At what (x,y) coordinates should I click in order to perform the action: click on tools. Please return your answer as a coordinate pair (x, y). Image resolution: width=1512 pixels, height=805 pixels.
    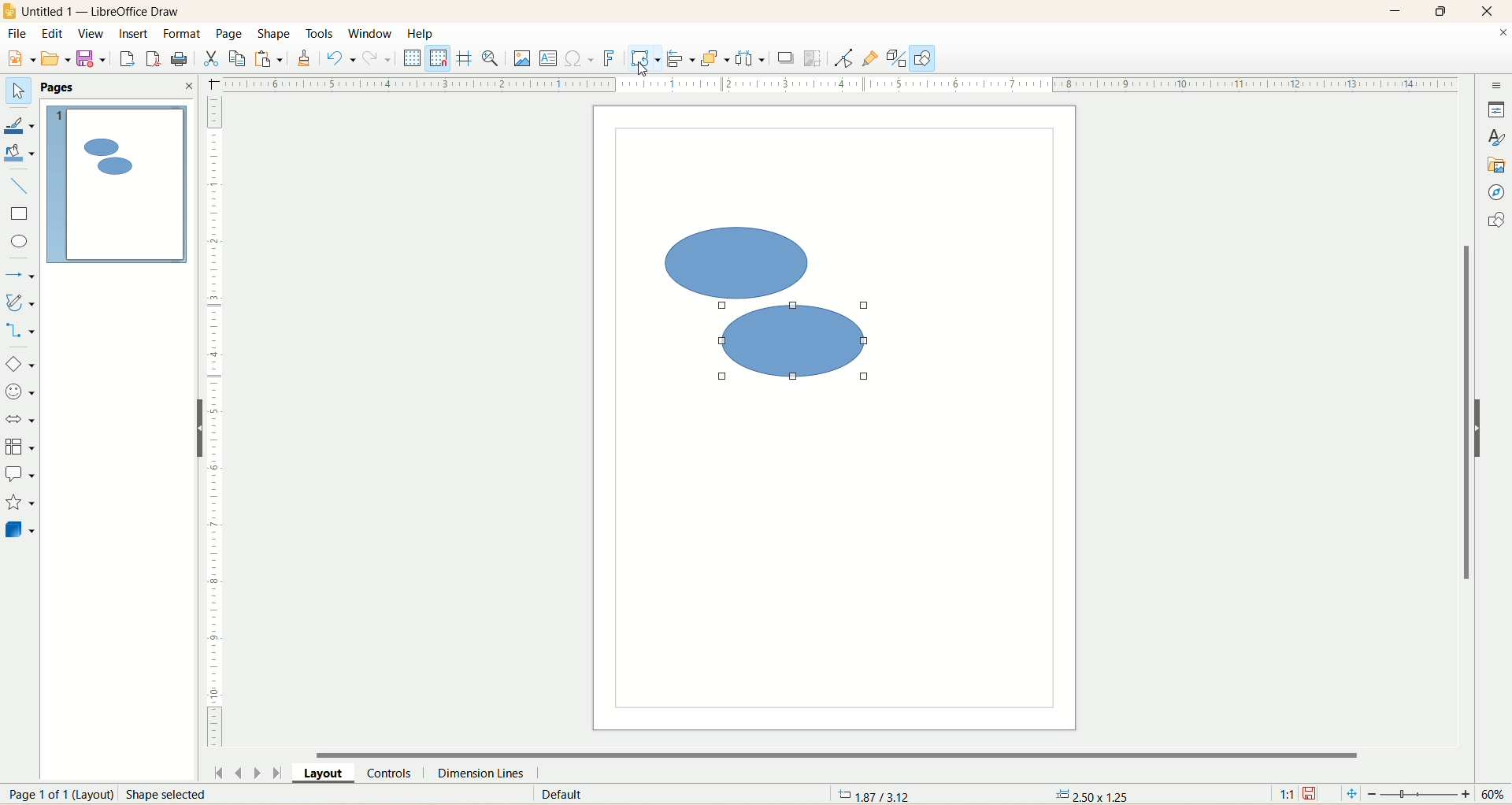
    Looking at the image, I should click on (320, 35).